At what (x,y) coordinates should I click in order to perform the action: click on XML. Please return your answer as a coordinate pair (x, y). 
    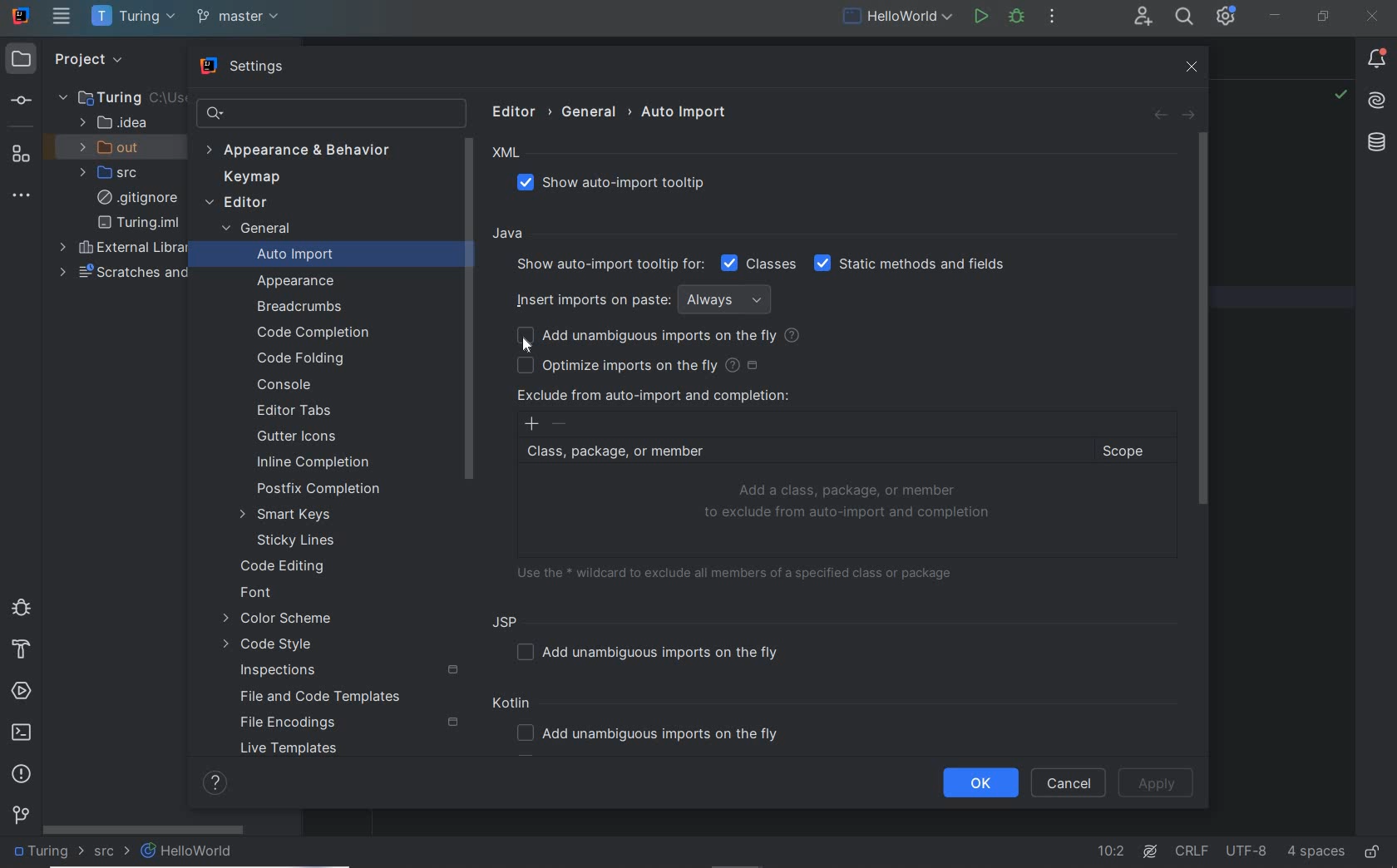
    Looking at the image, I should click on (507, 153).